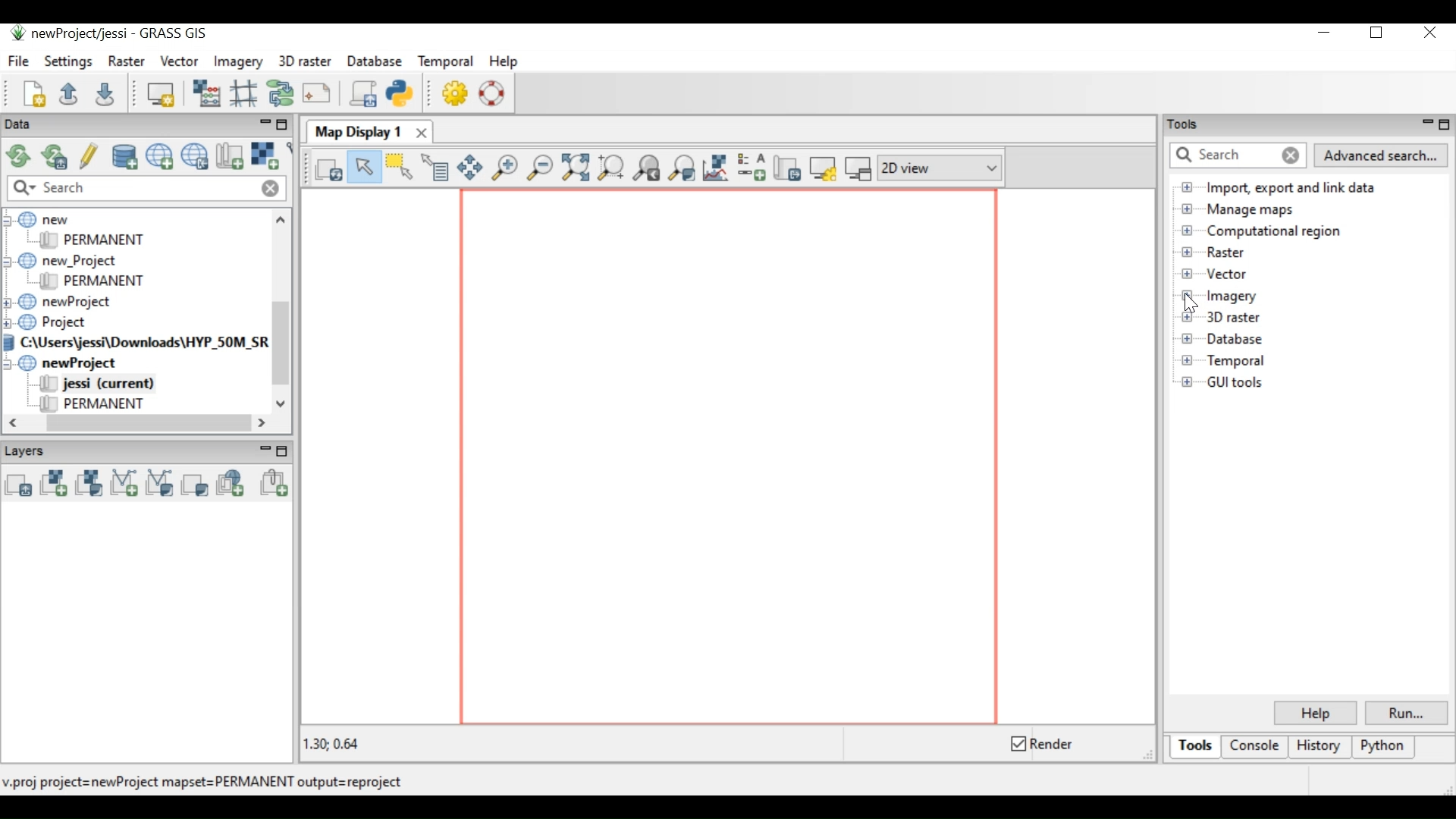  What do you see at coordinates (70, 92) in the screenshot?
I see `Open existing workspace to fil` at bounding box center [70, 92].